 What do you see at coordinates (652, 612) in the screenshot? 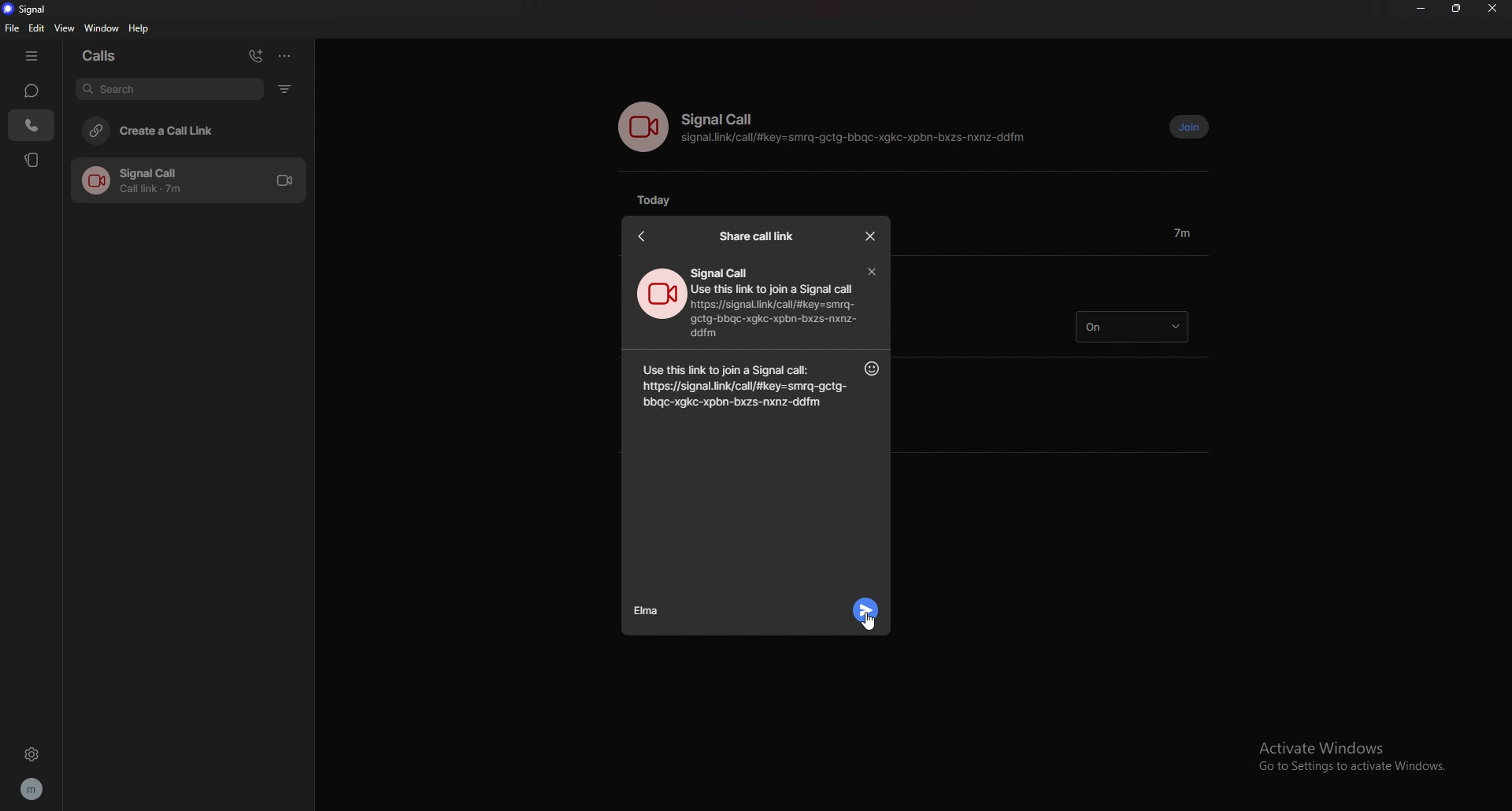
I see `contact name` at bounding box center [652, 612].